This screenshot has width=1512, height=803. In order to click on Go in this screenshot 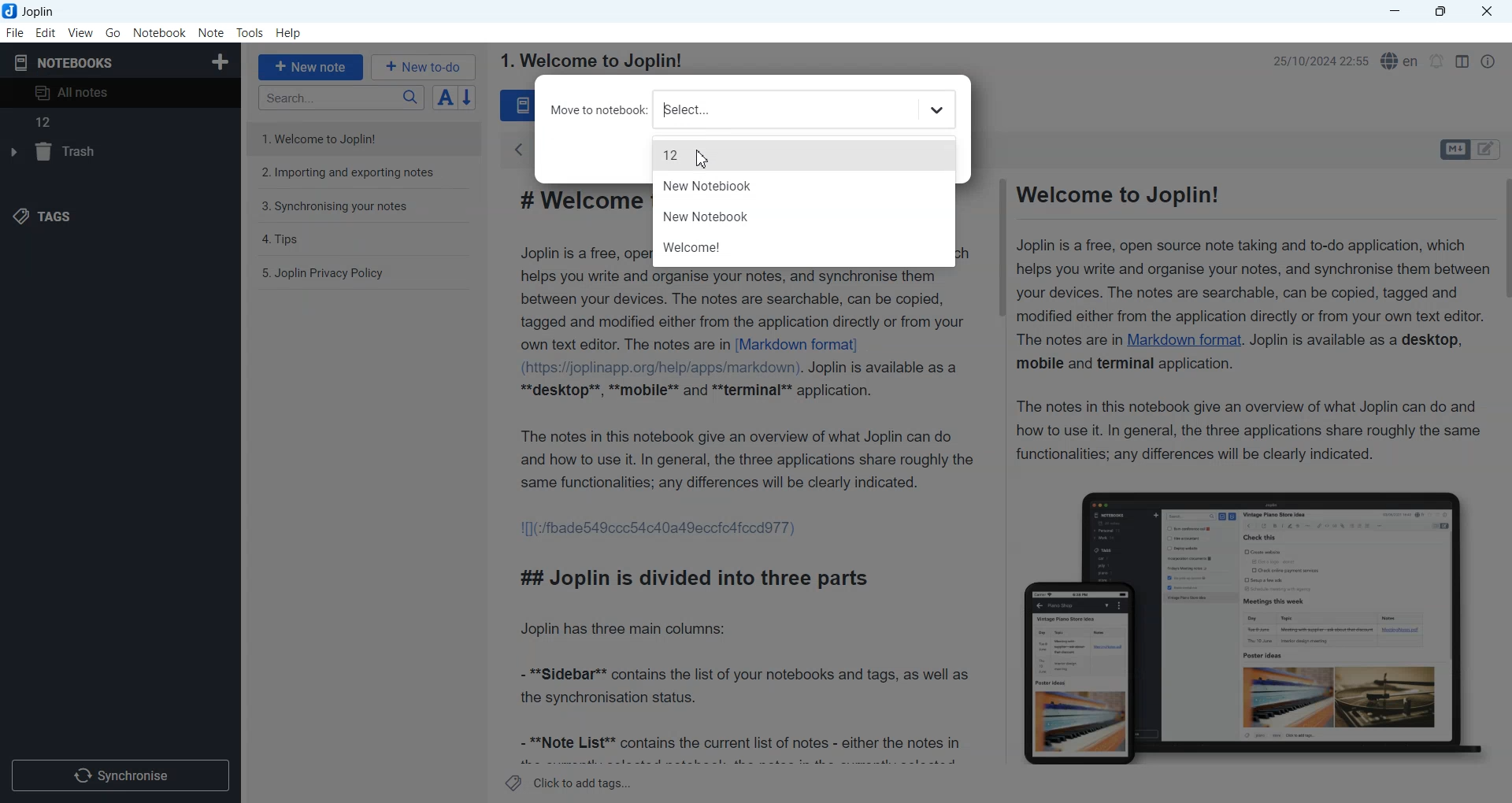, I will do `click(114, 32)`.